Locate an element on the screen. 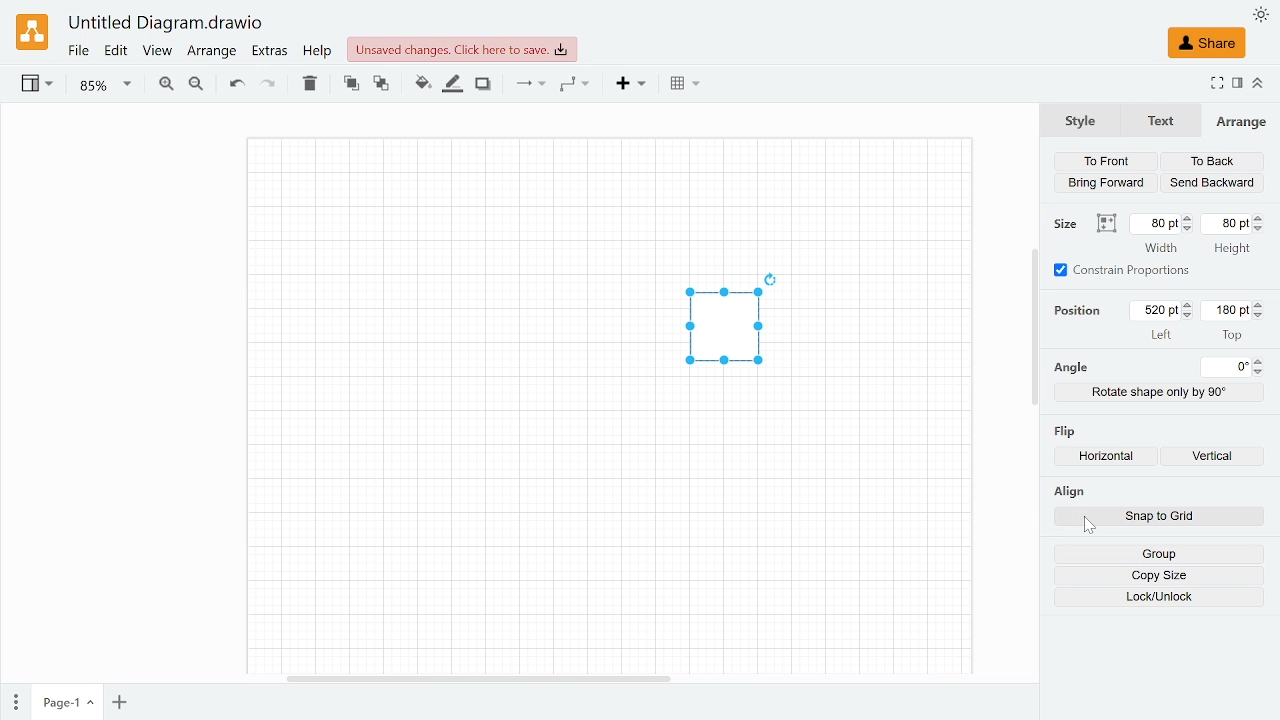  Increase angle is located at coordinates (1260, 361).